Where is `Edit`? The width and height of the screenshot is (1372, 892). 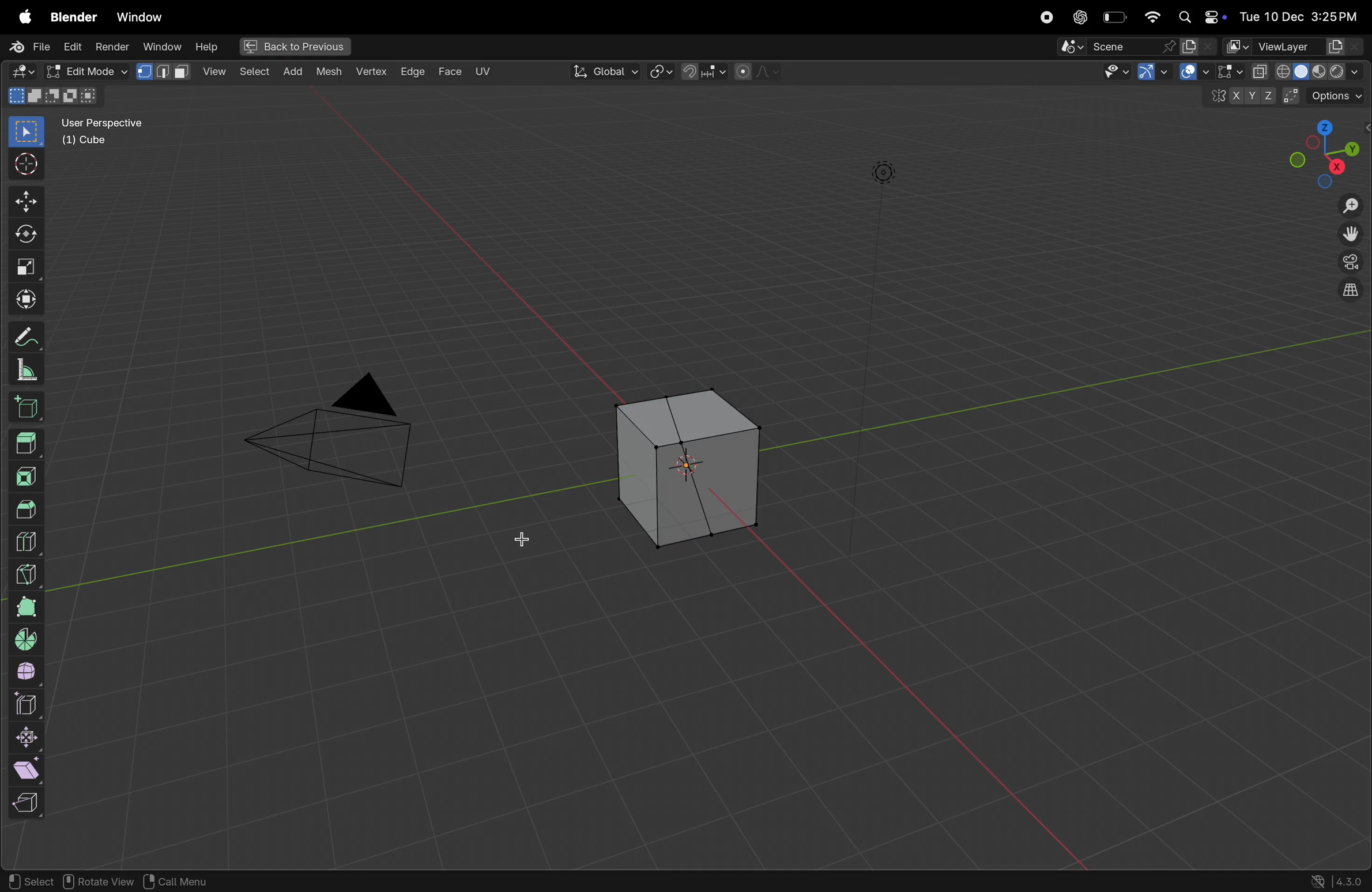
Edit is located at coordinates (73, 46).